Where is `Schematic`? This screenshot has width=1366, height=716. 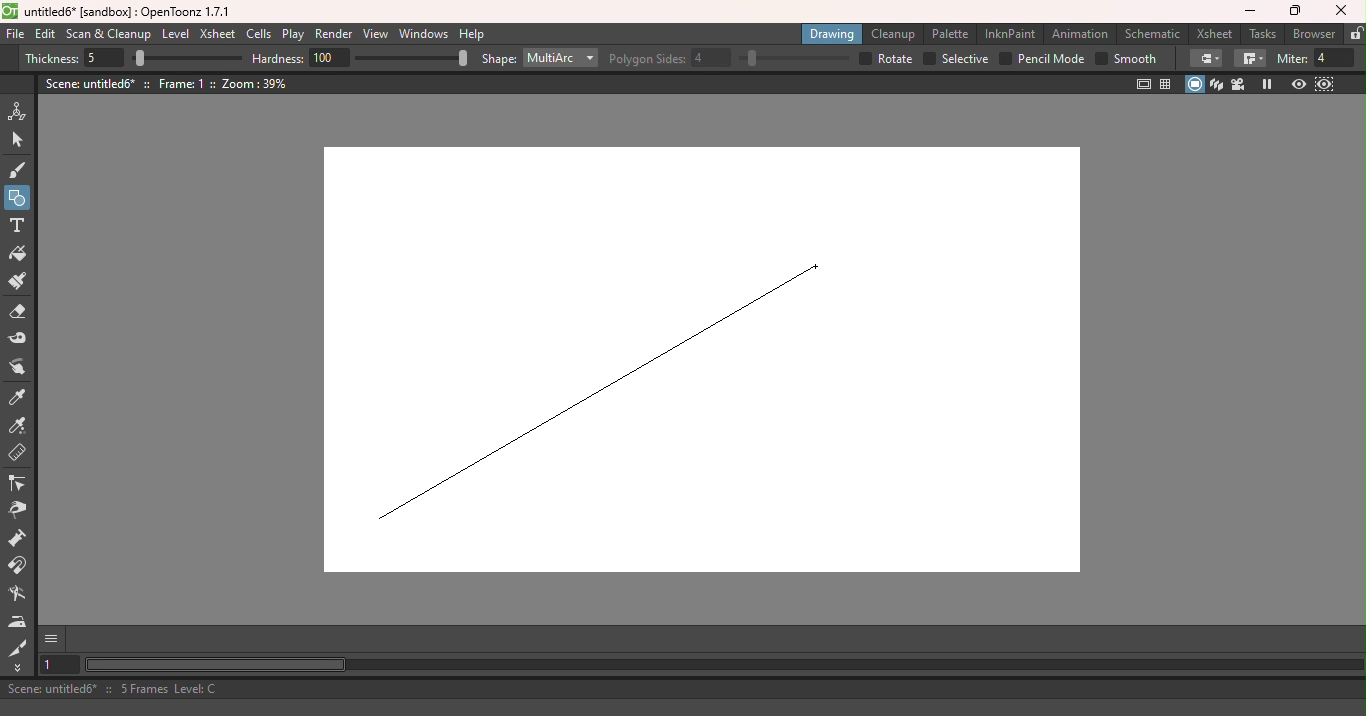
Schematic is located at coordinates (1152, 33).